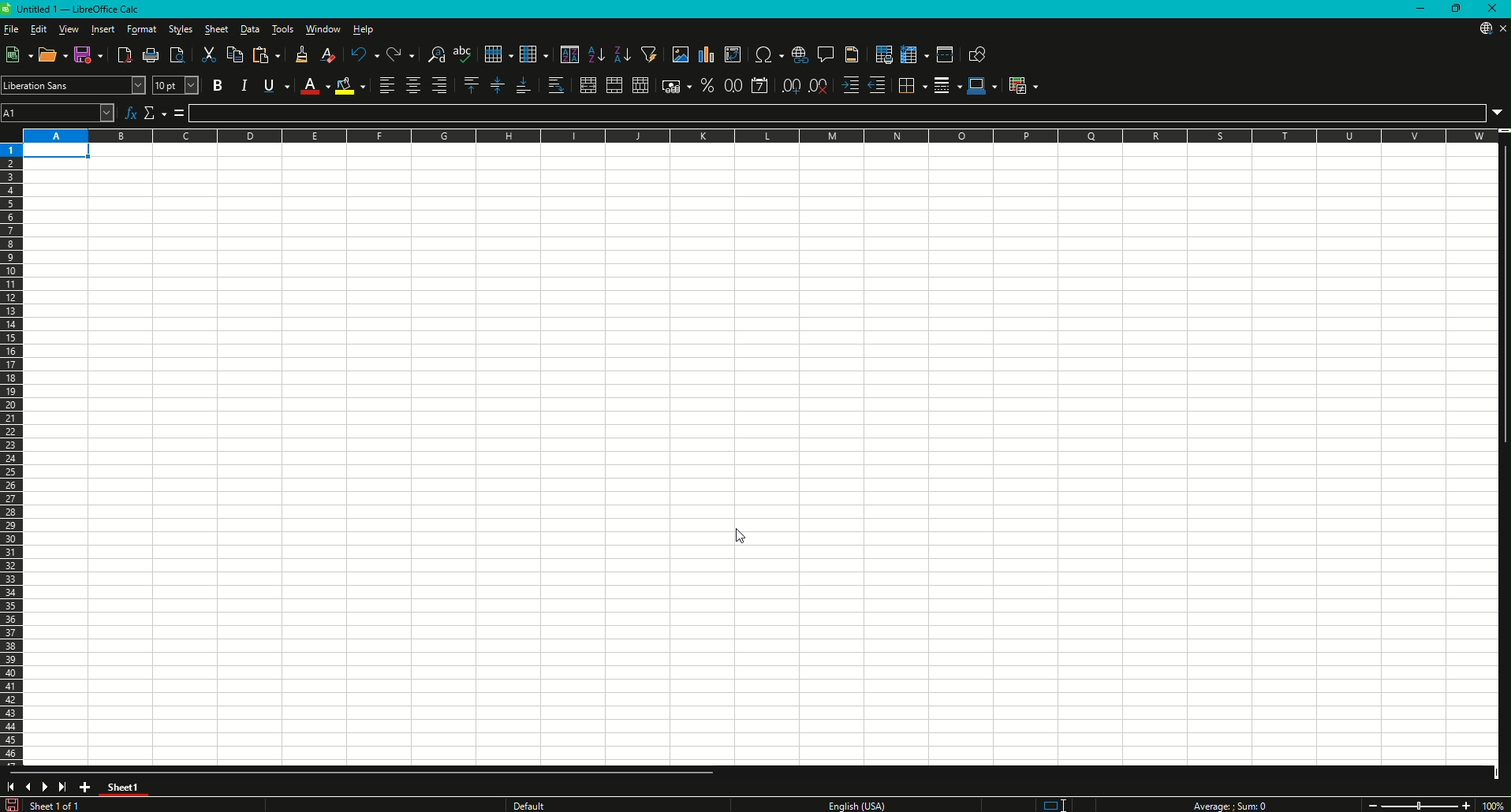 The height and width of the screenshot is (812, 1511). I want to click on Insert Hyperlink, so click(800, 54).